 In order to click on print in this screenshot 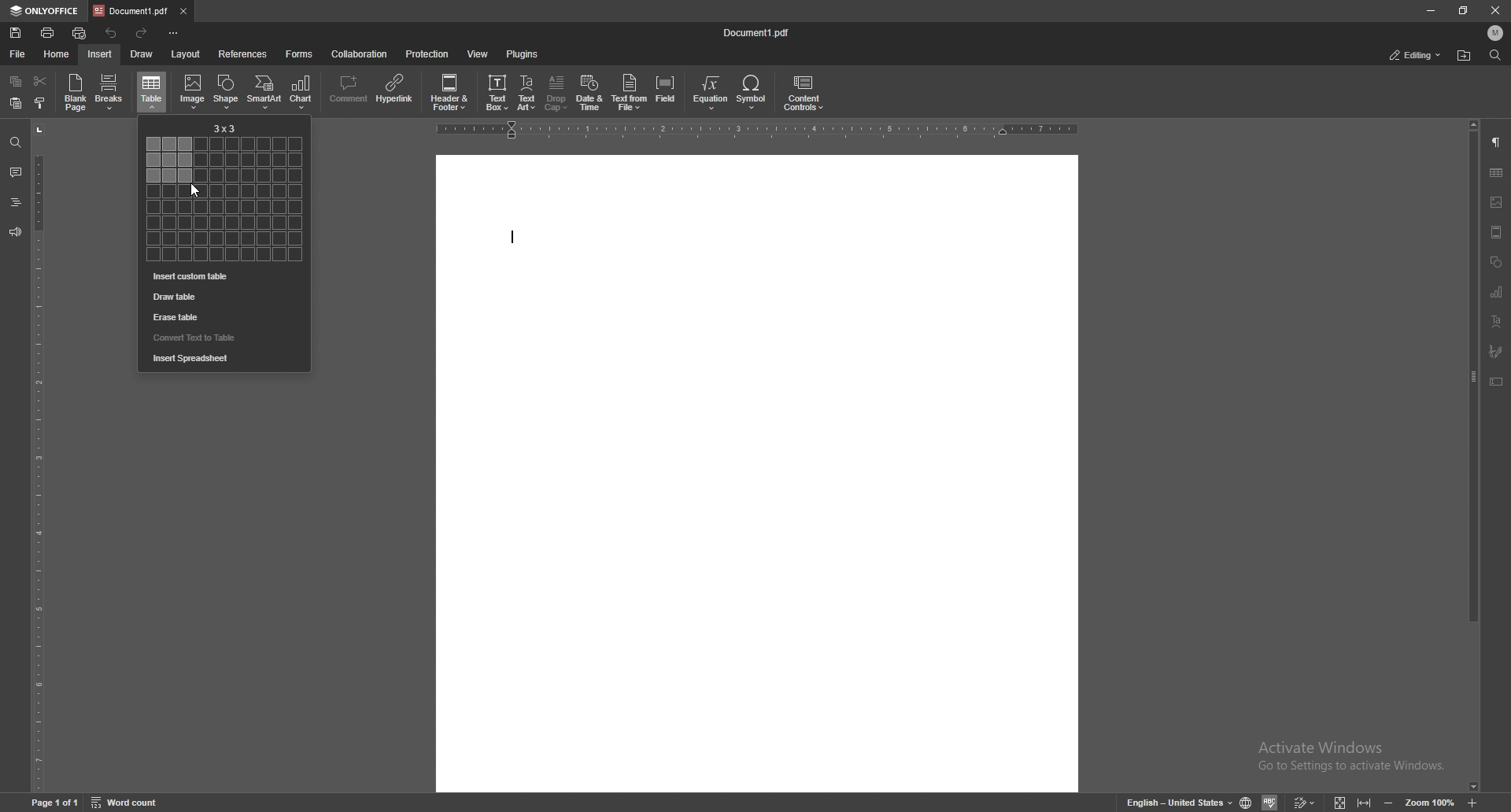, I will do `click(48, 32)`.